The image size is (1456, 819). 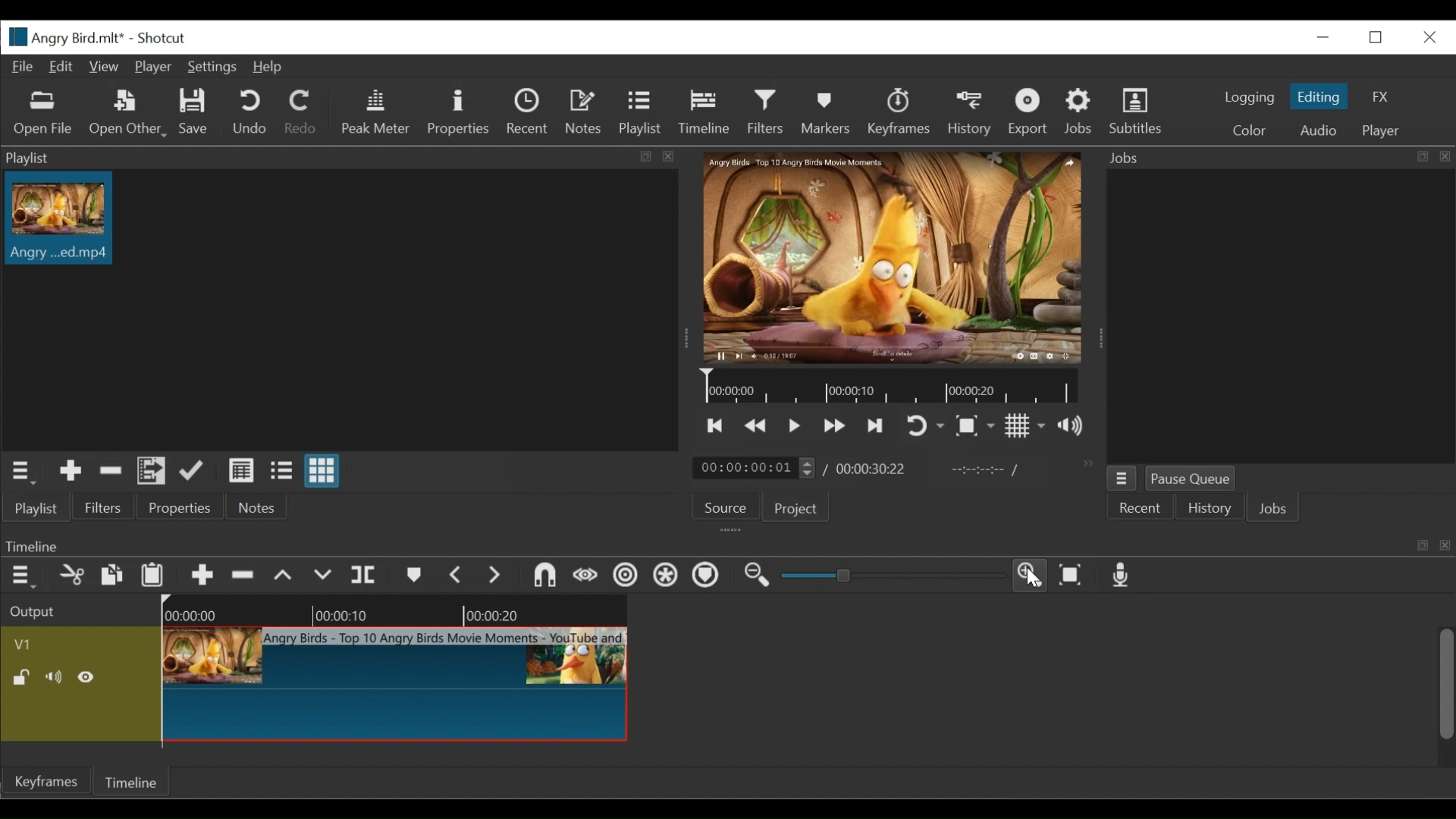 I want to click on Player, so click(x=152, y=65).